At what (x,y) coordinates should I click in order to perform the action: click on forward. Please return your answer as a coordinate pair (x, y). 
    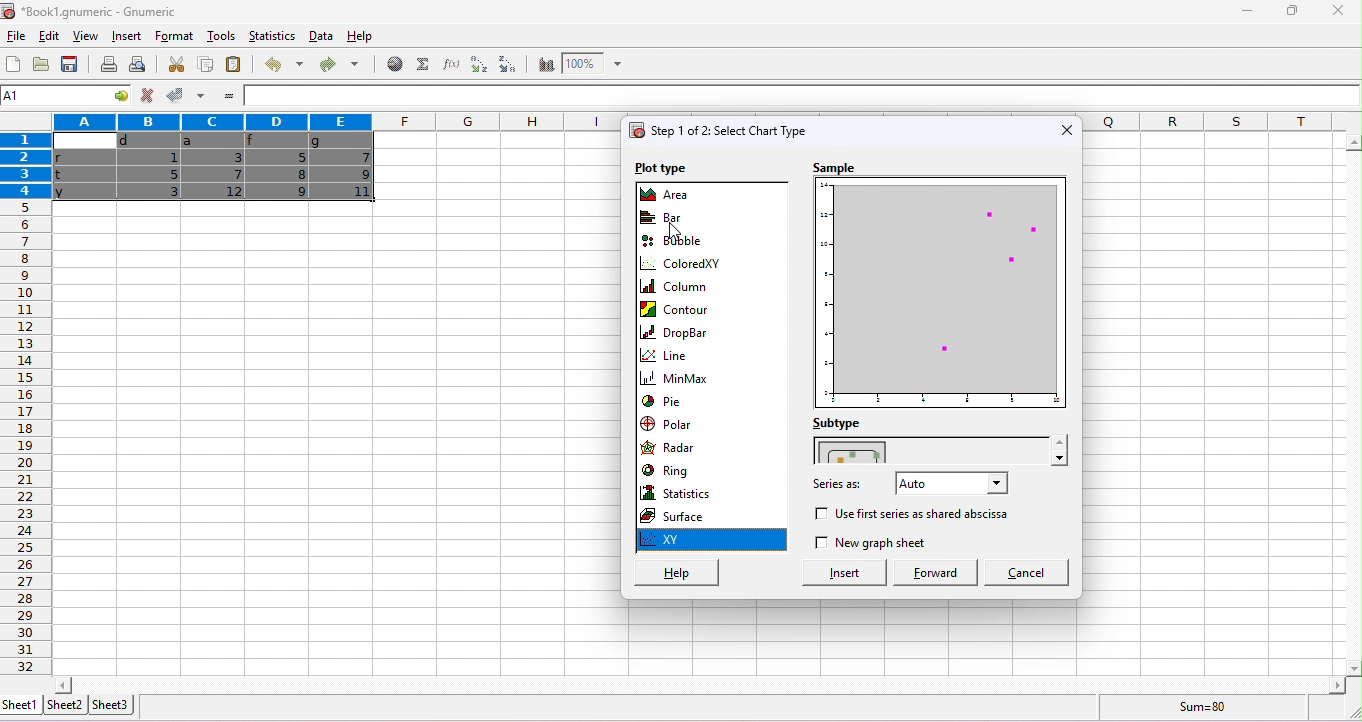
    Looking at the image, I should click on (932, 573).